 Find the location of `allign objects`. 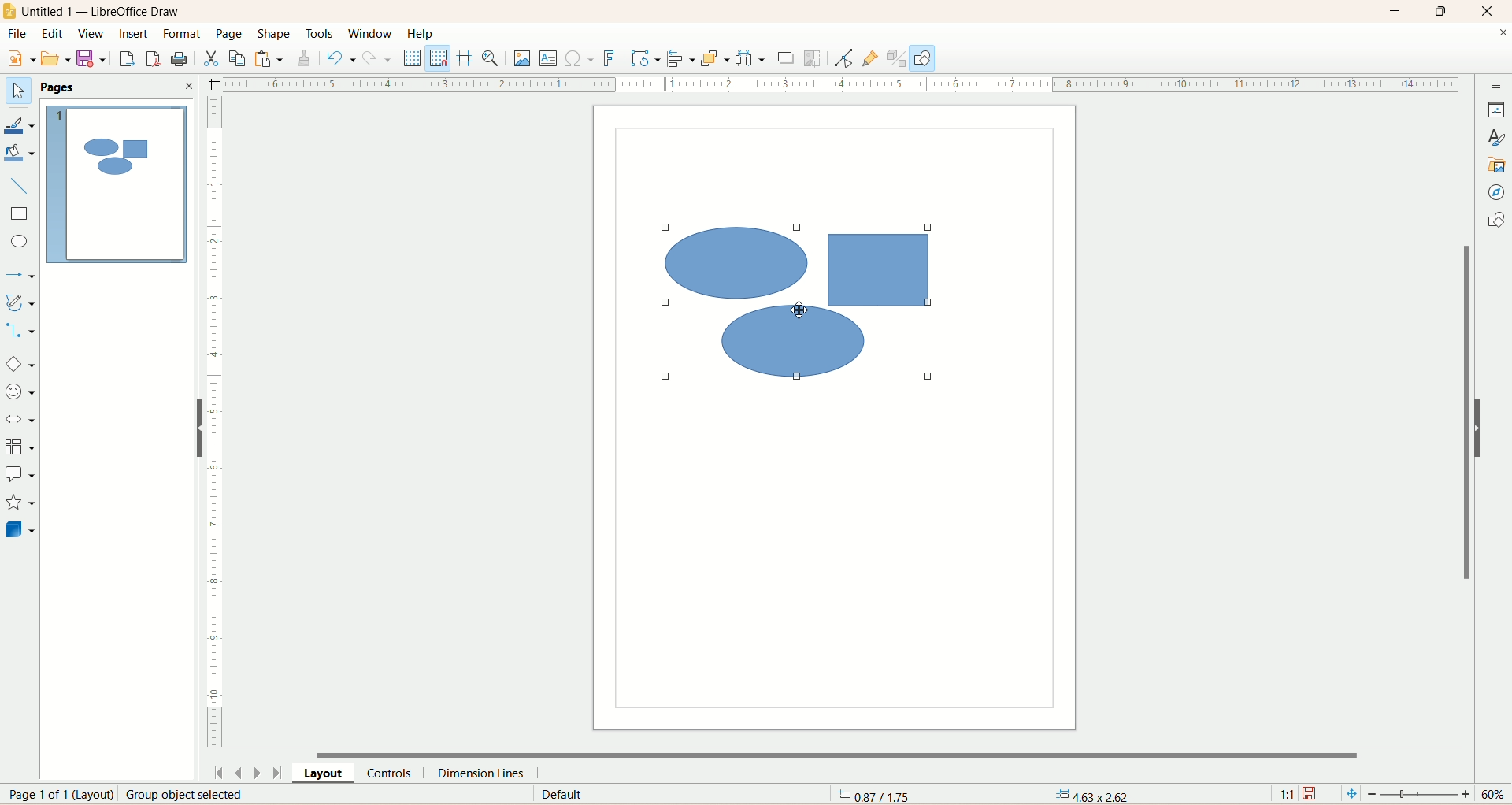

allign objects is located at coordinates (680, 57).